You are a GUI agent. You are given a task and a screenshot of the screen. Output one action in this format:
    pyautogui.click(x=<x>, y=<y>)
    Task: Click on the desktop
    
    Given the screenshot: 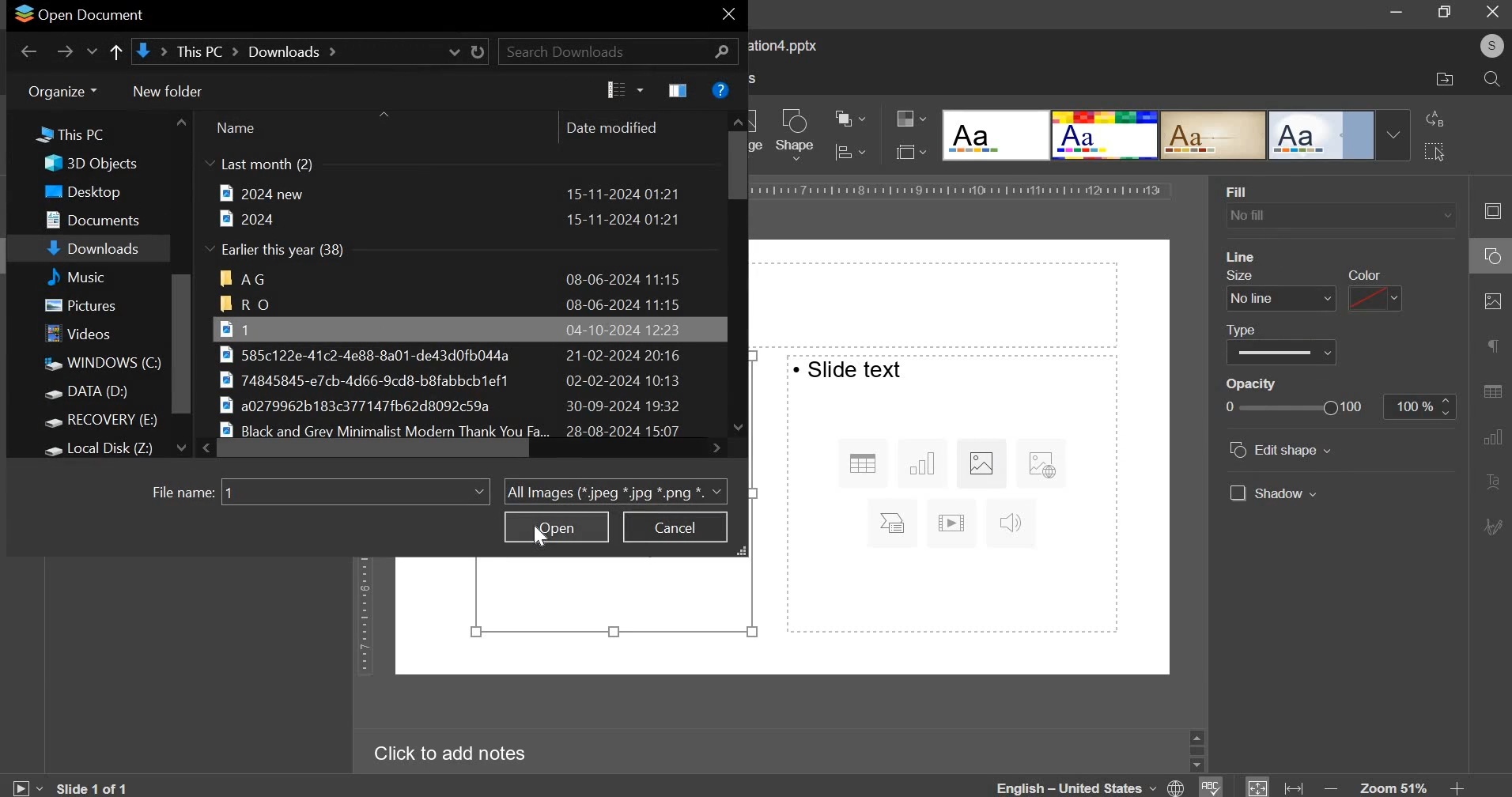 What is the action you would take?
    pyautogui.click(x=93, y=192)
    